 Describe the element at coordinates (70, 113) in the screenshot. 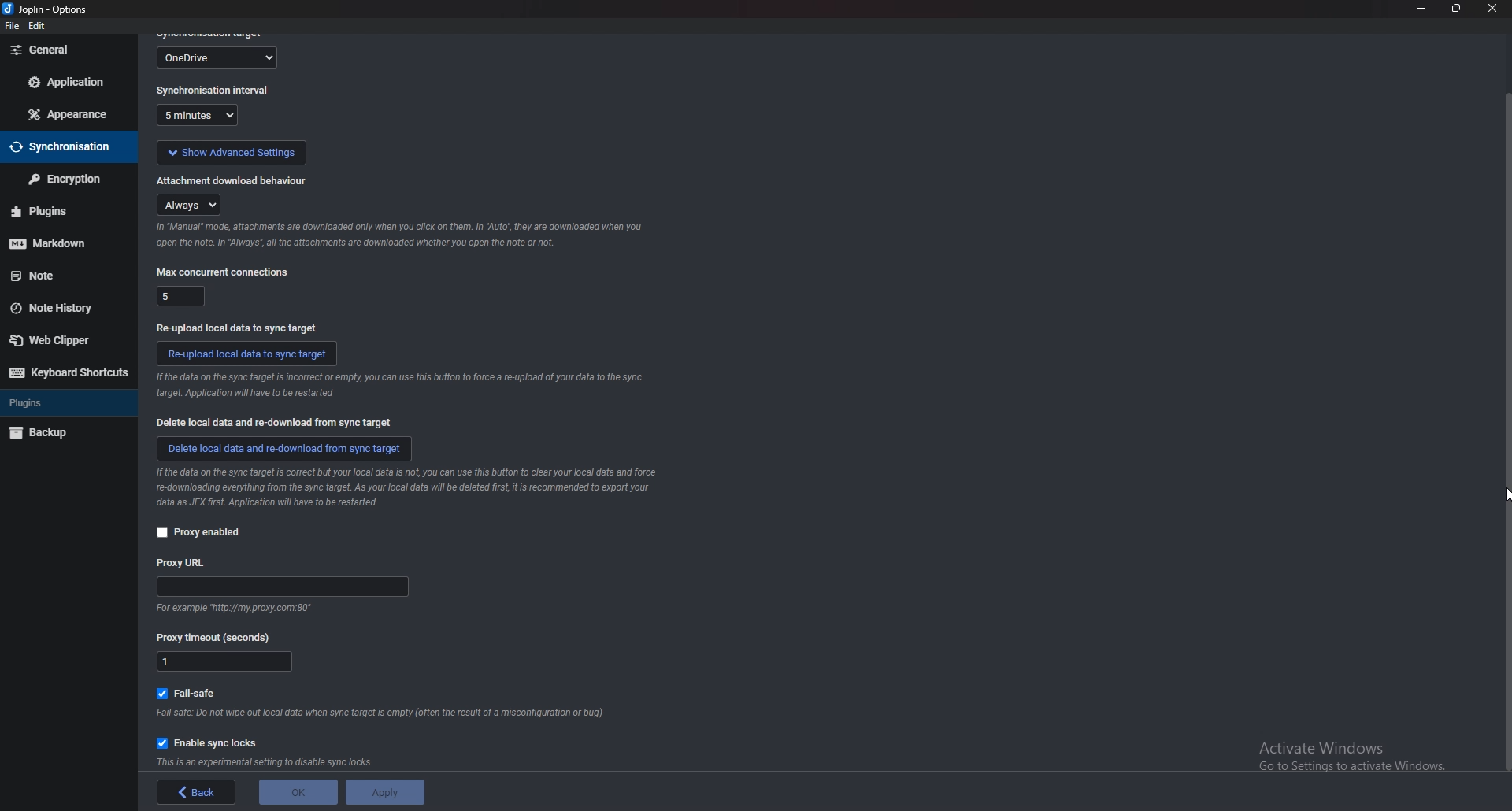

I see `appearance` at that location.